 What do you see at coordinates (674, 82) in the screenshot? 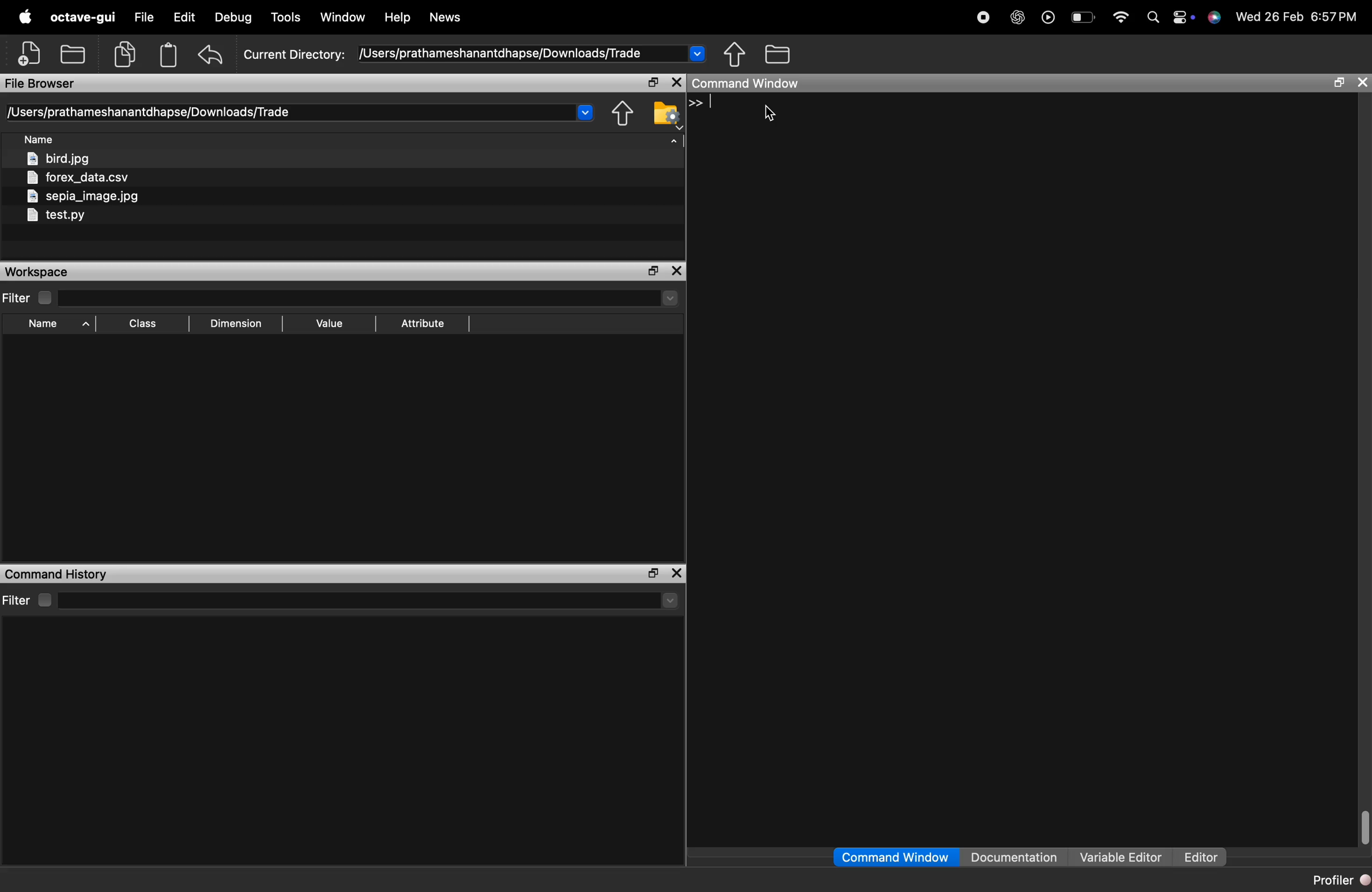
I see `close` at bounding box center [674, 82].